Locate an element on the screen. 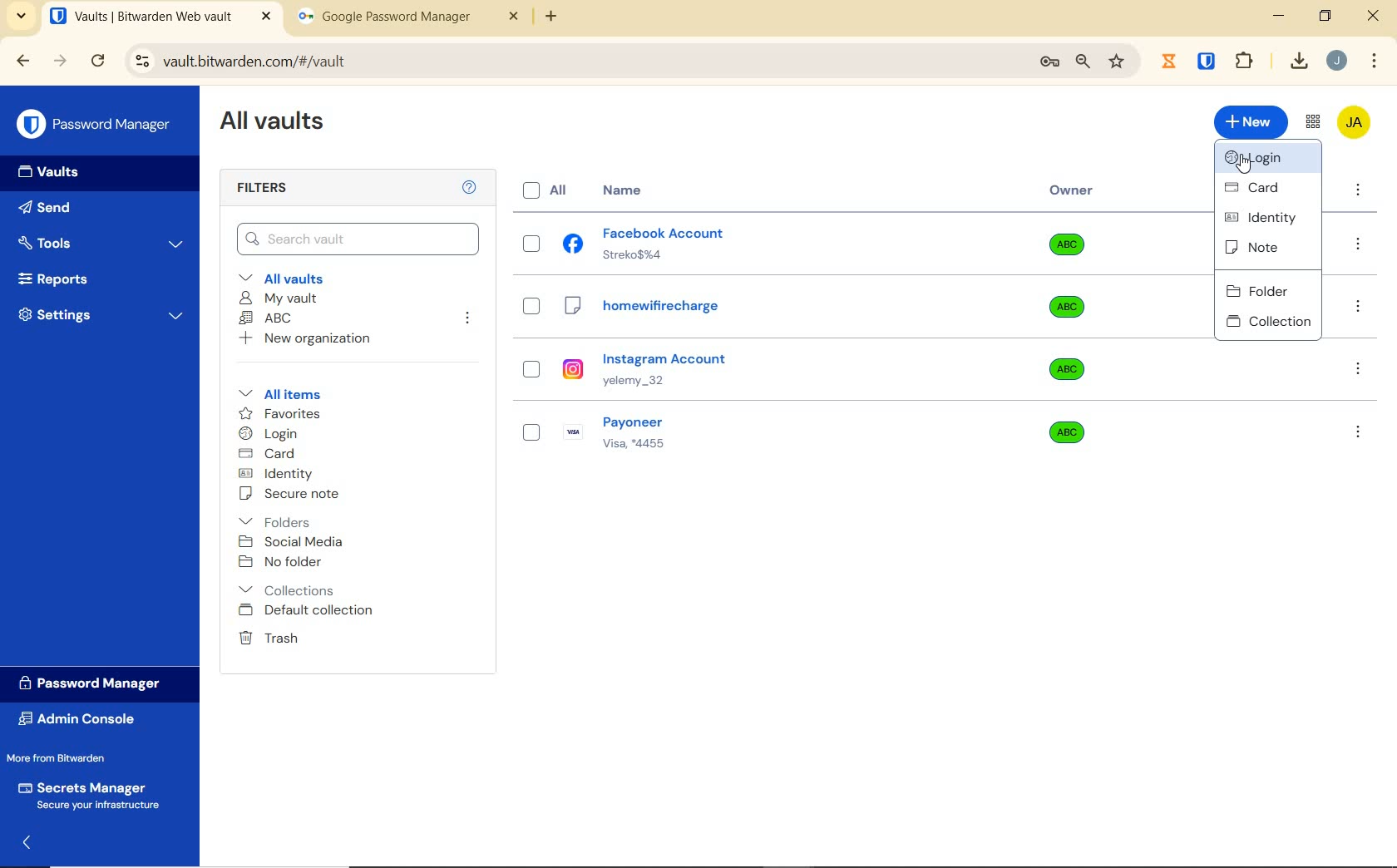  All Vaults is located at coordinates (276, 123).